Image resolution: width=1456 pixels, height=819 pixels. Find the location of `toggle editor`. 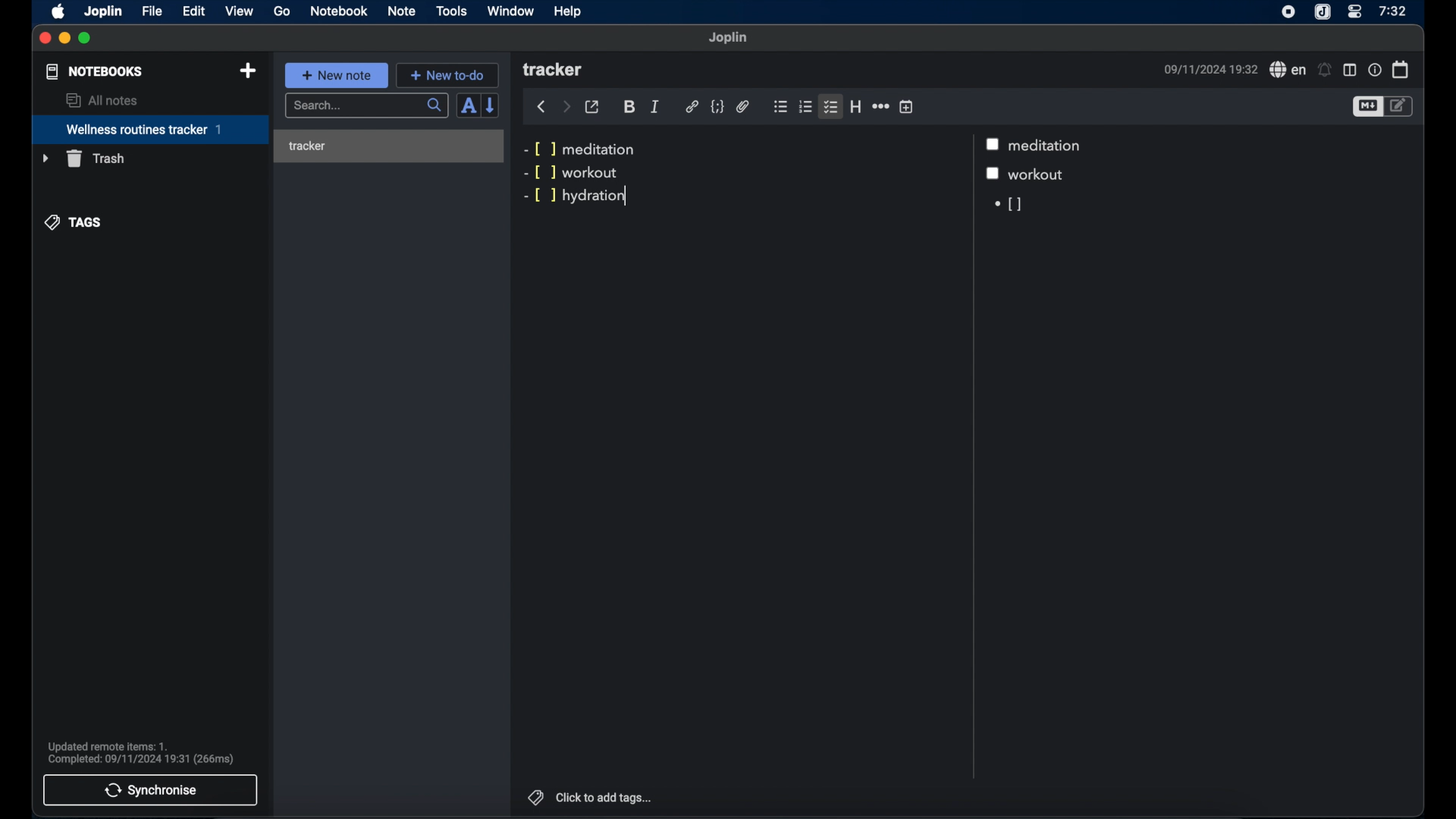

toggle editor is located at coordinates (1401, 107).